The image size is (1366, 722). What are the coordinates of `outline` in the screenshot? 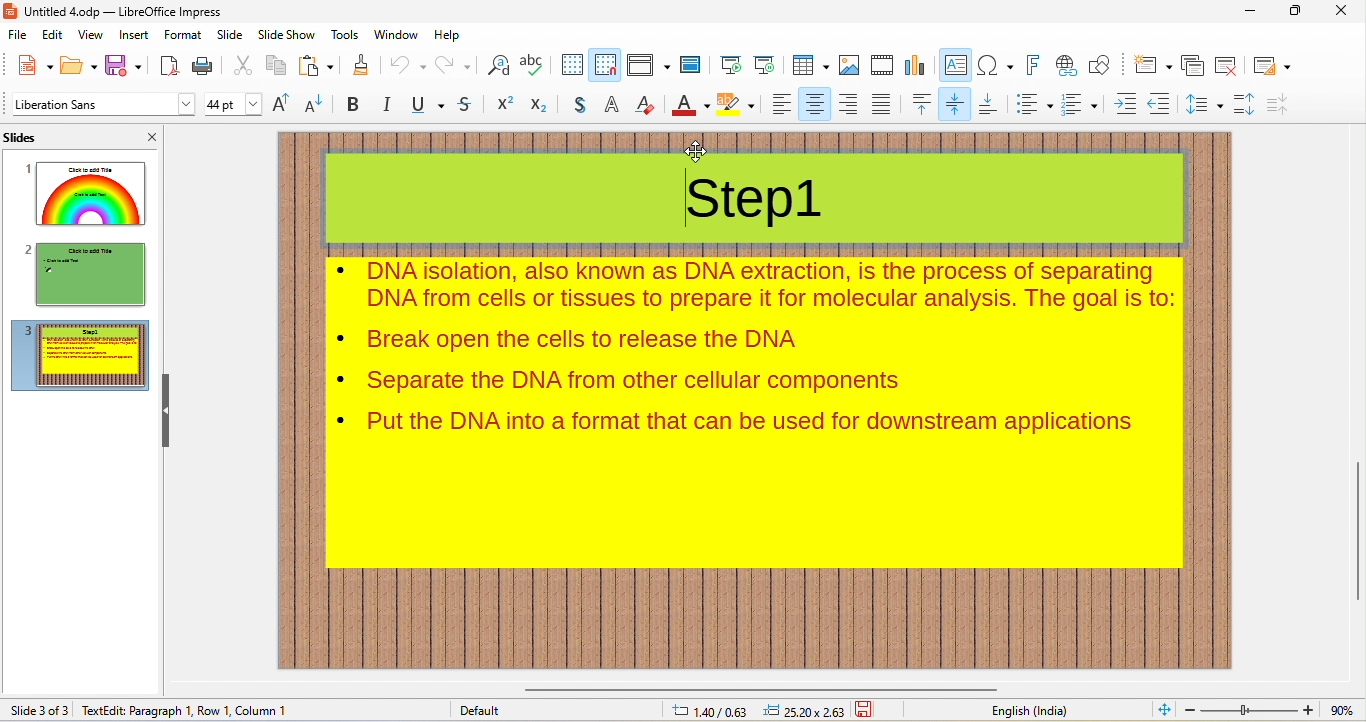 It's located at (613, 105).